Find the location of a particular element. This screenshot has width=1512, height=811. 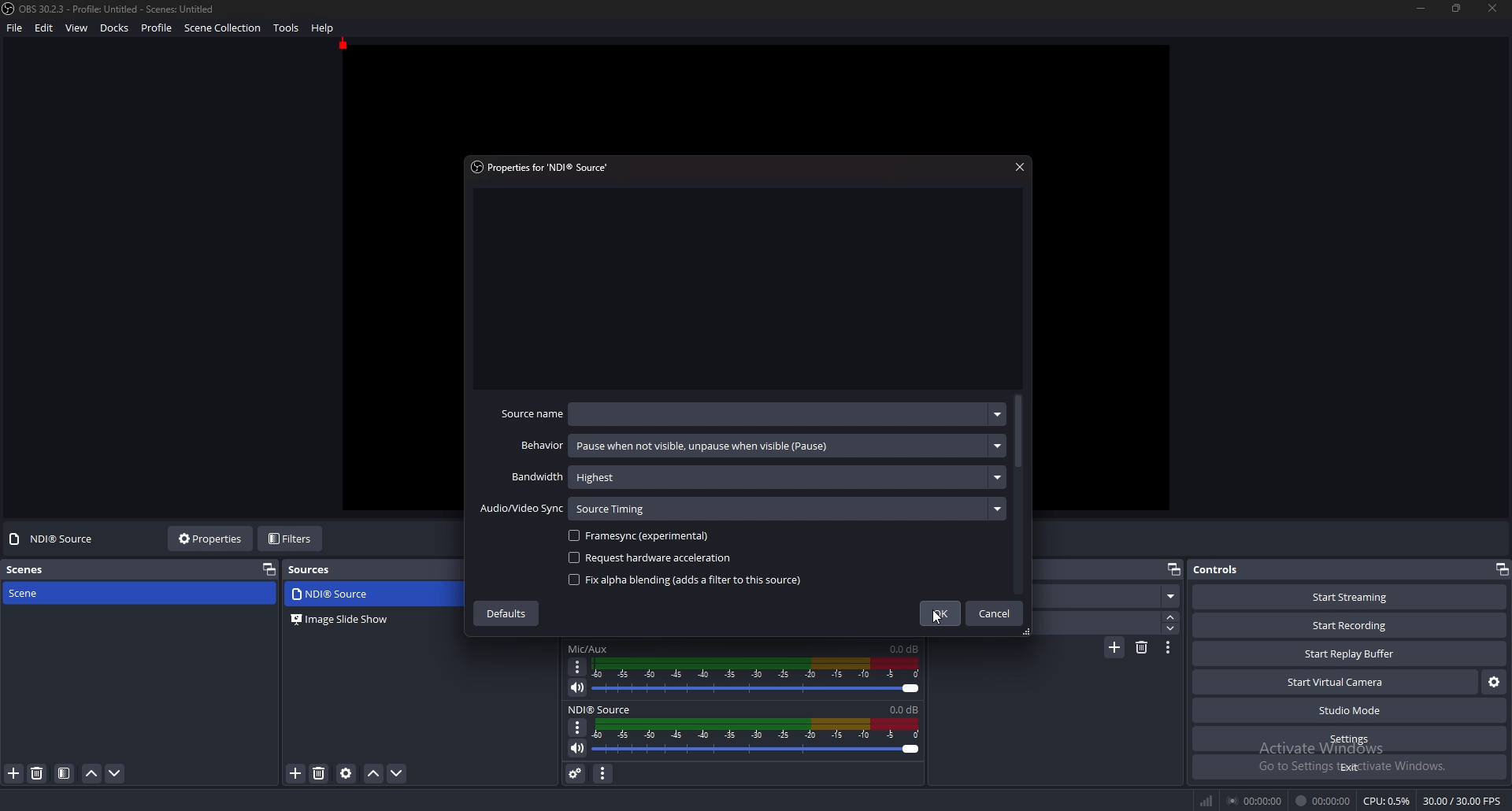

help is located at coordinates (324, 28).